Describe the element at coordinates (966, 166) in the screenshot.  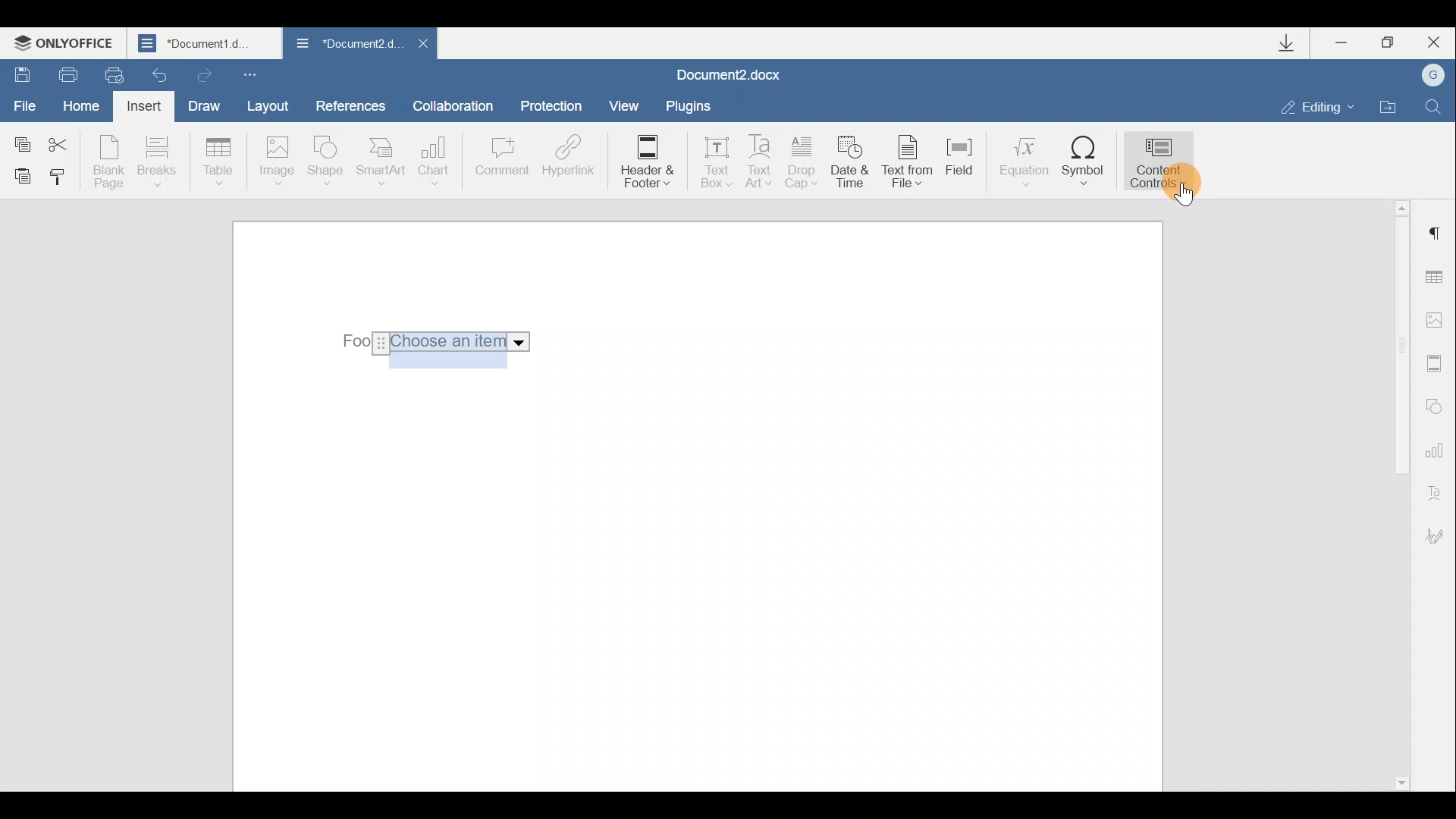
I see `Field` at that location.